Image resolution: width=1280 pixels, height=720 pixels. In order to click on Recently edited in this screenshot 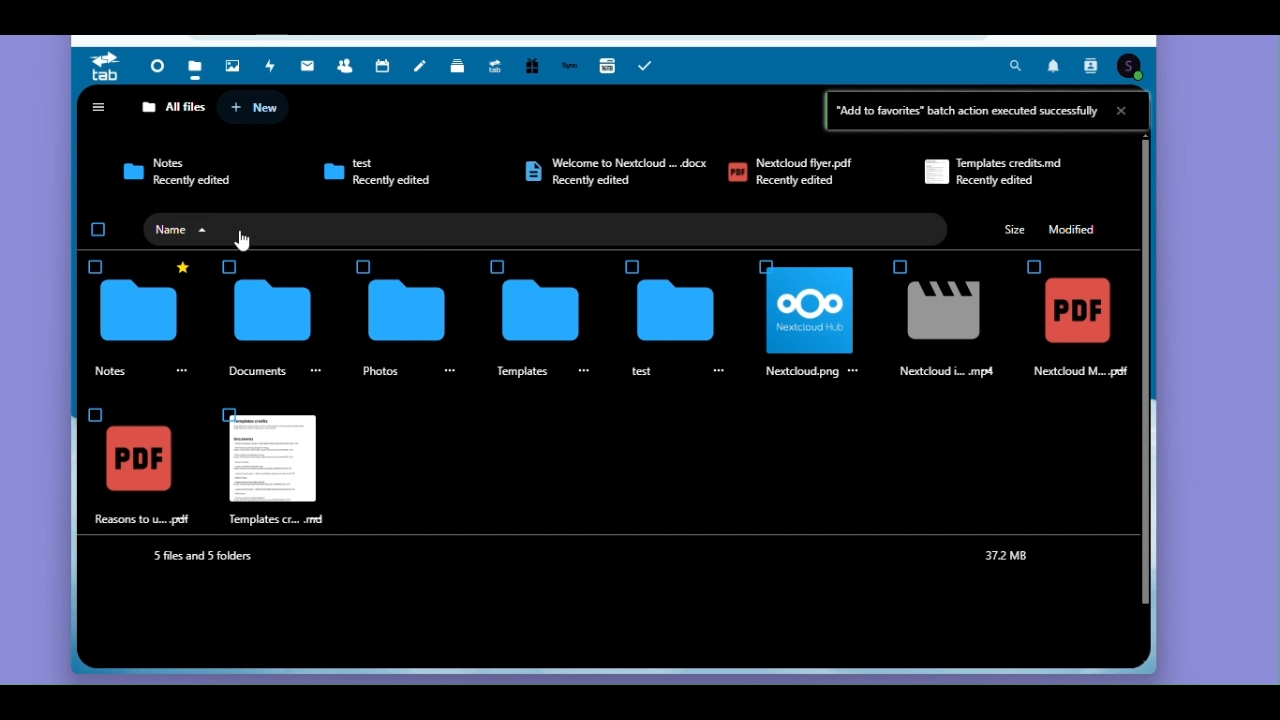, I will do `click(402, 184)`.